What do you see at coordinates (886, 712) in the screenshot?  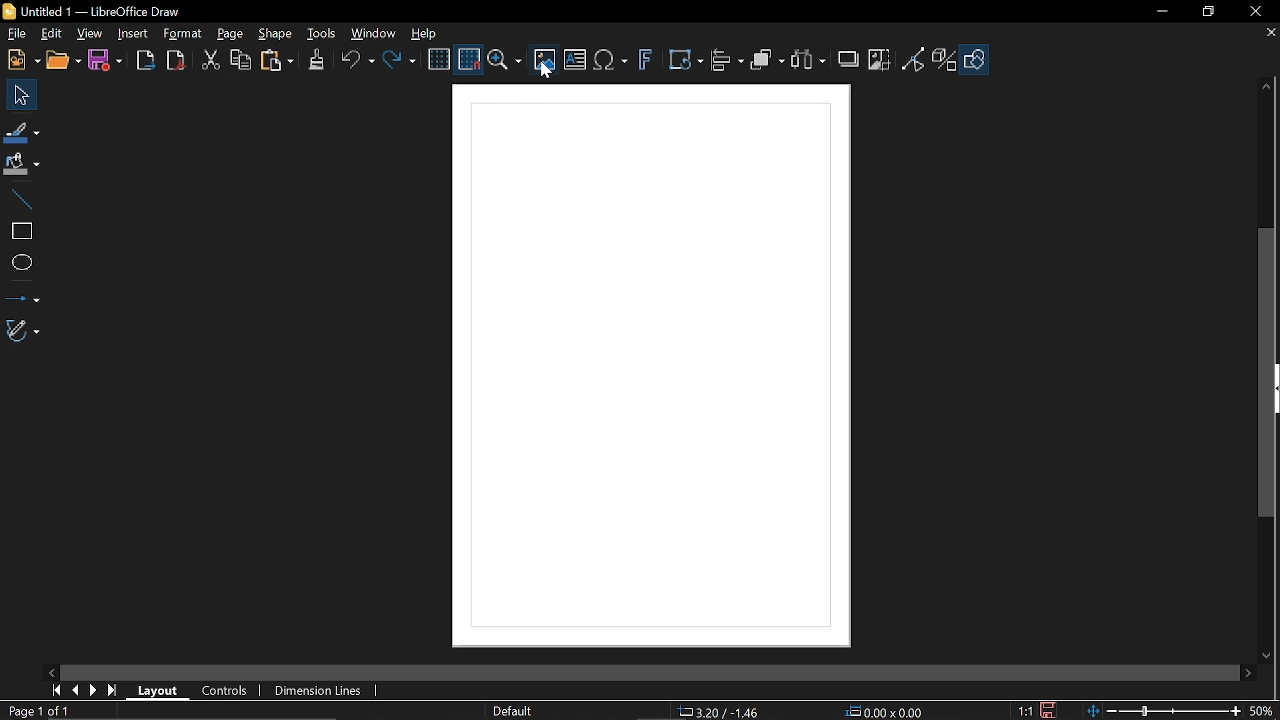 I see `Size` at bounding box center [886, 712].